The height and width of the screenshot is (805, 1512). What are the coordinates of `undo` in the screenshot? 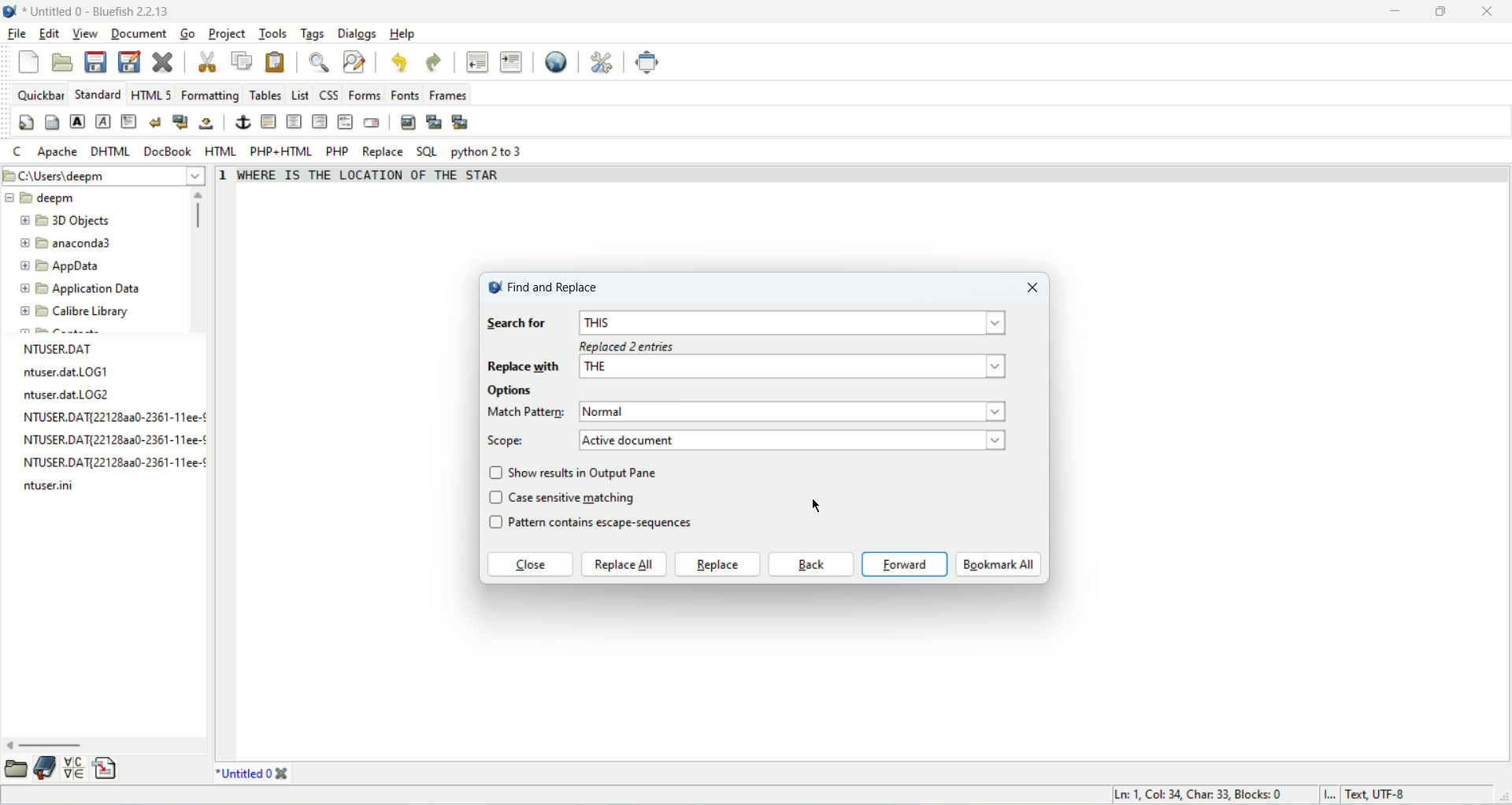 It's located at (398, 62).